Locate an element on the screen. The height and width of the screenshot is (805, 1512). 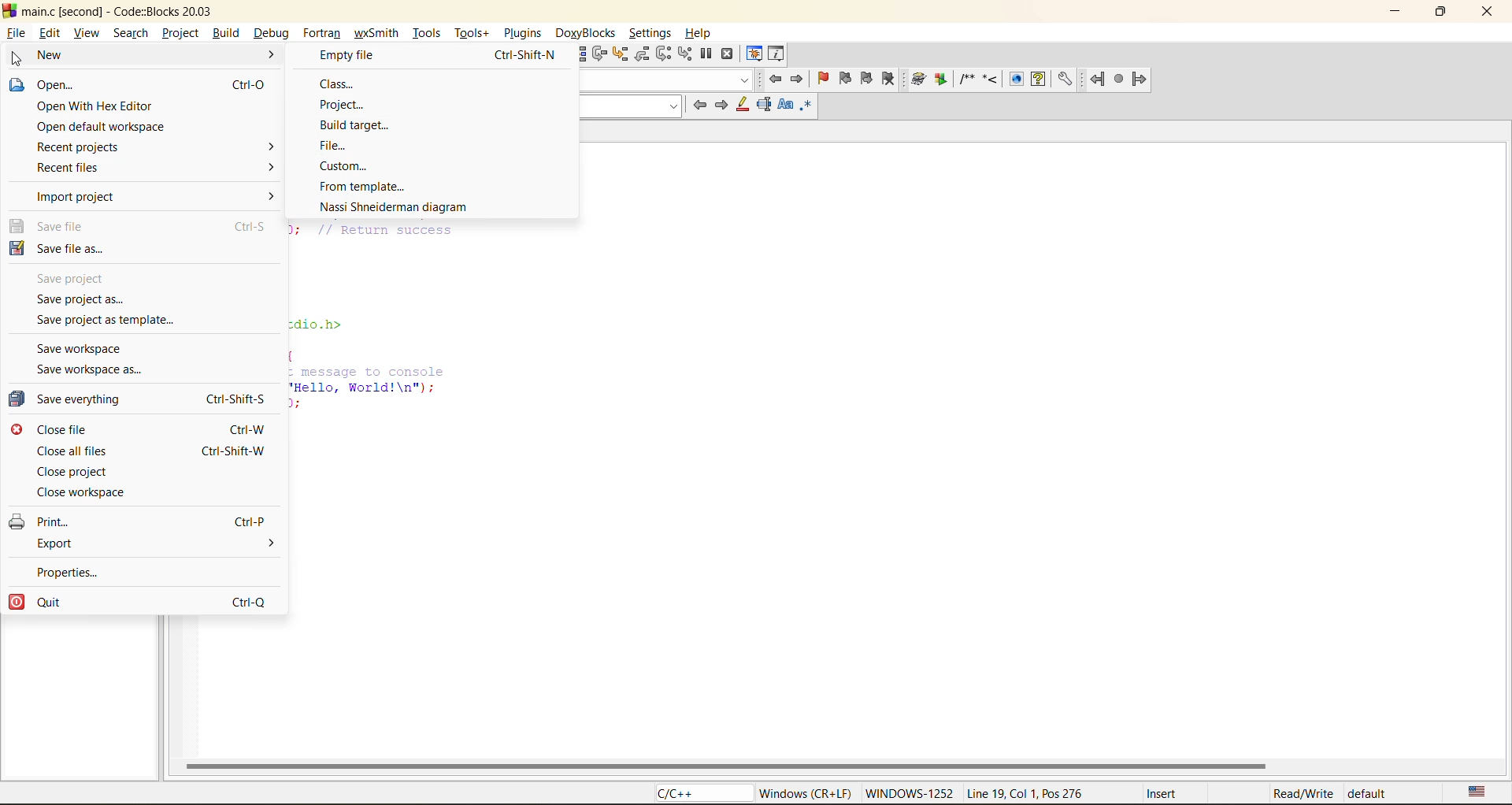
zdio.h> is located at coordinates (318, 322).